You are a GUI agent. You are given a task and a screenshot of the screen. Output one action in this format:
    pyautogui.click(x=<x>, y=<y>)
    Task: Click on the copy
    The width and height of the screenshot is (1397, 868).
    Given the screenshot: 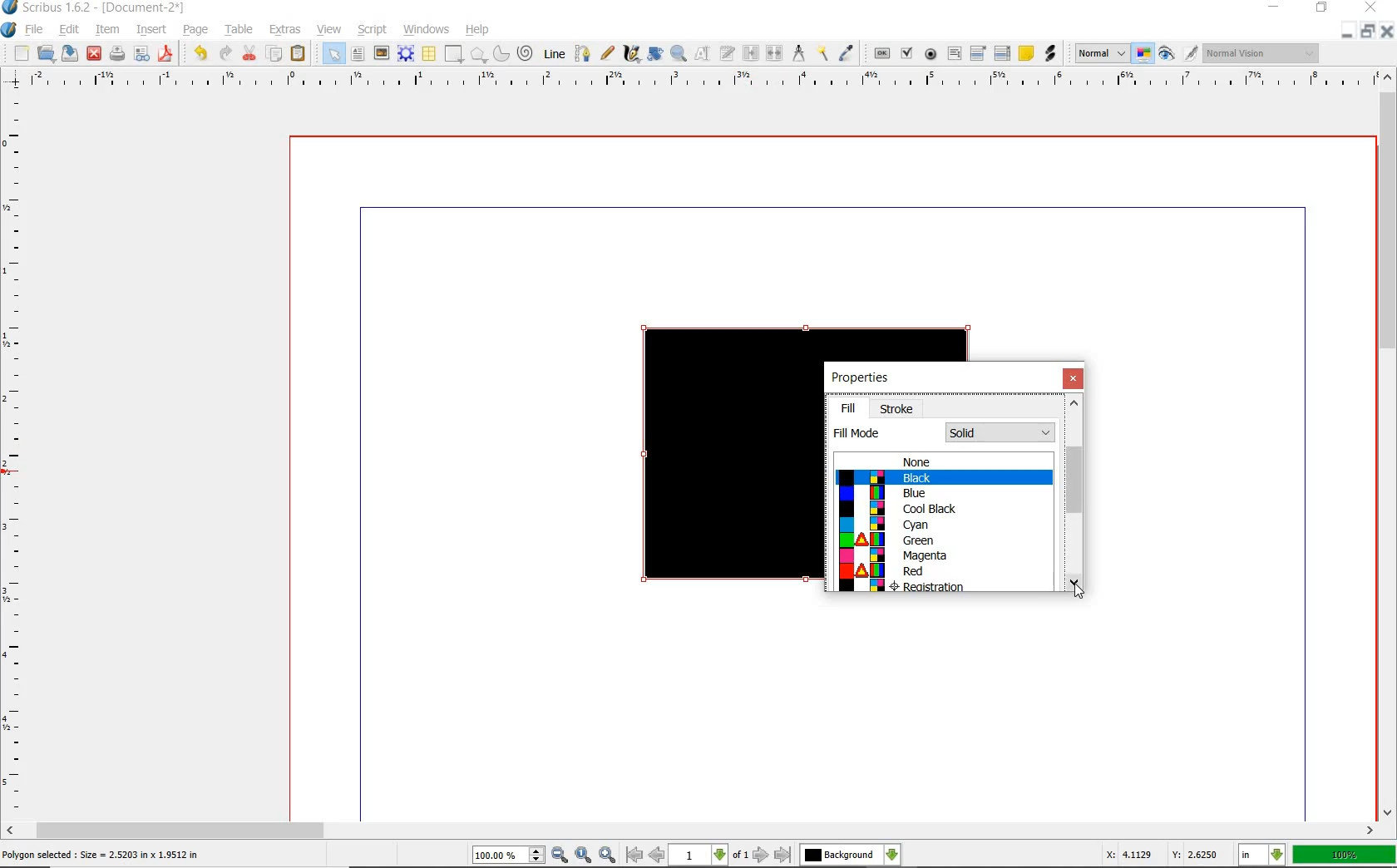 What is the action you would take?
    pyautogui.click(x=276, y=52)
    